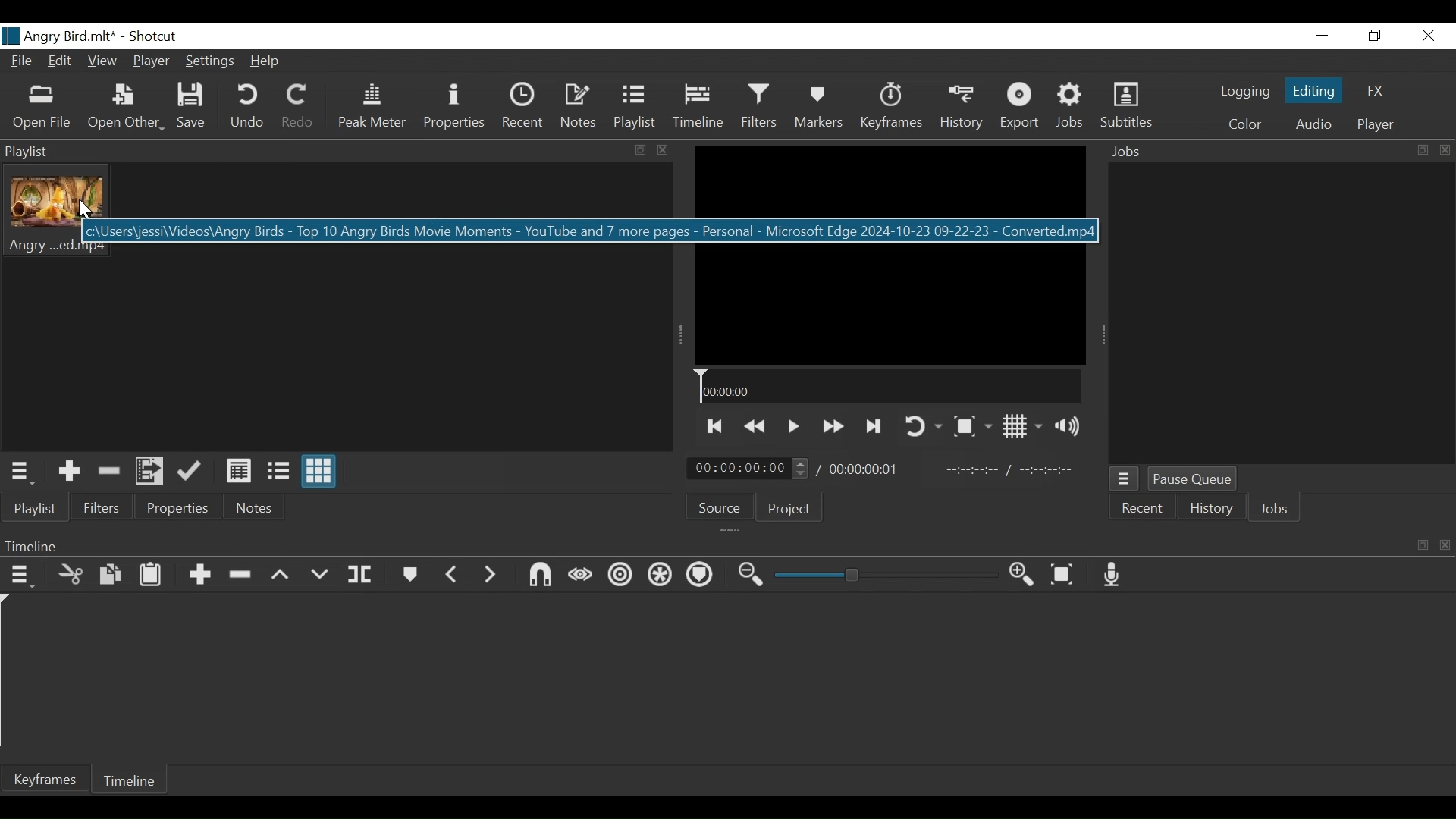 Image resolution: width=1456 pixels, height=819 pixels. What do you see at coordinates (1373, 36) in the screenshot?
I see `Restore` at bounding box center [1373, 36].